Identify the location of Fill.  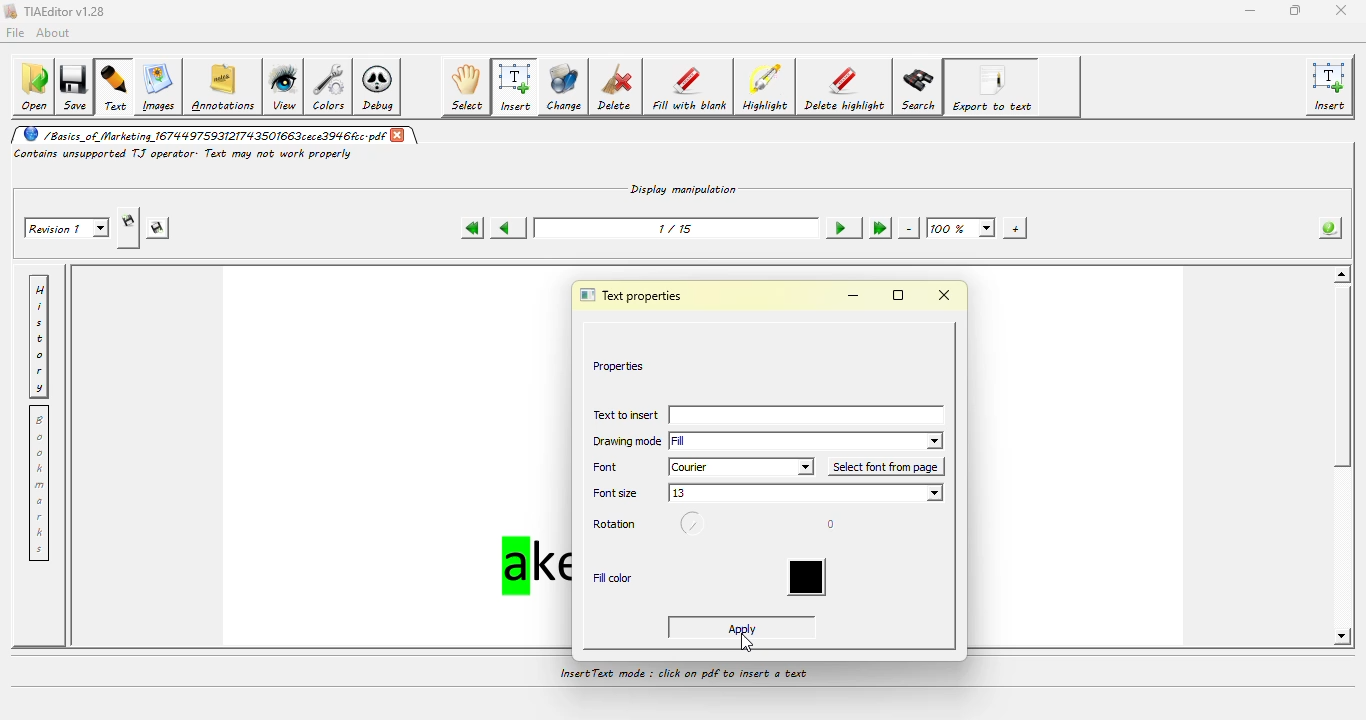
(808, 440).